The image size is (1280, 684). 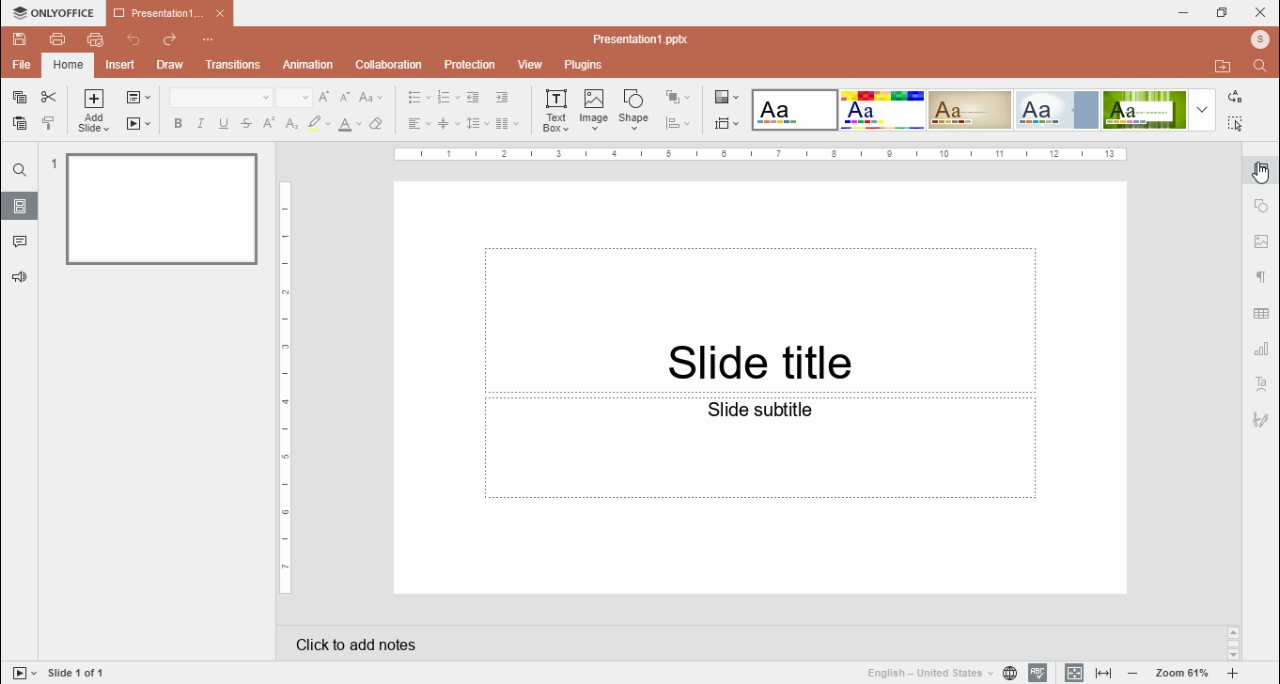 I want to click on slide 1, so click(x=152, y=208).